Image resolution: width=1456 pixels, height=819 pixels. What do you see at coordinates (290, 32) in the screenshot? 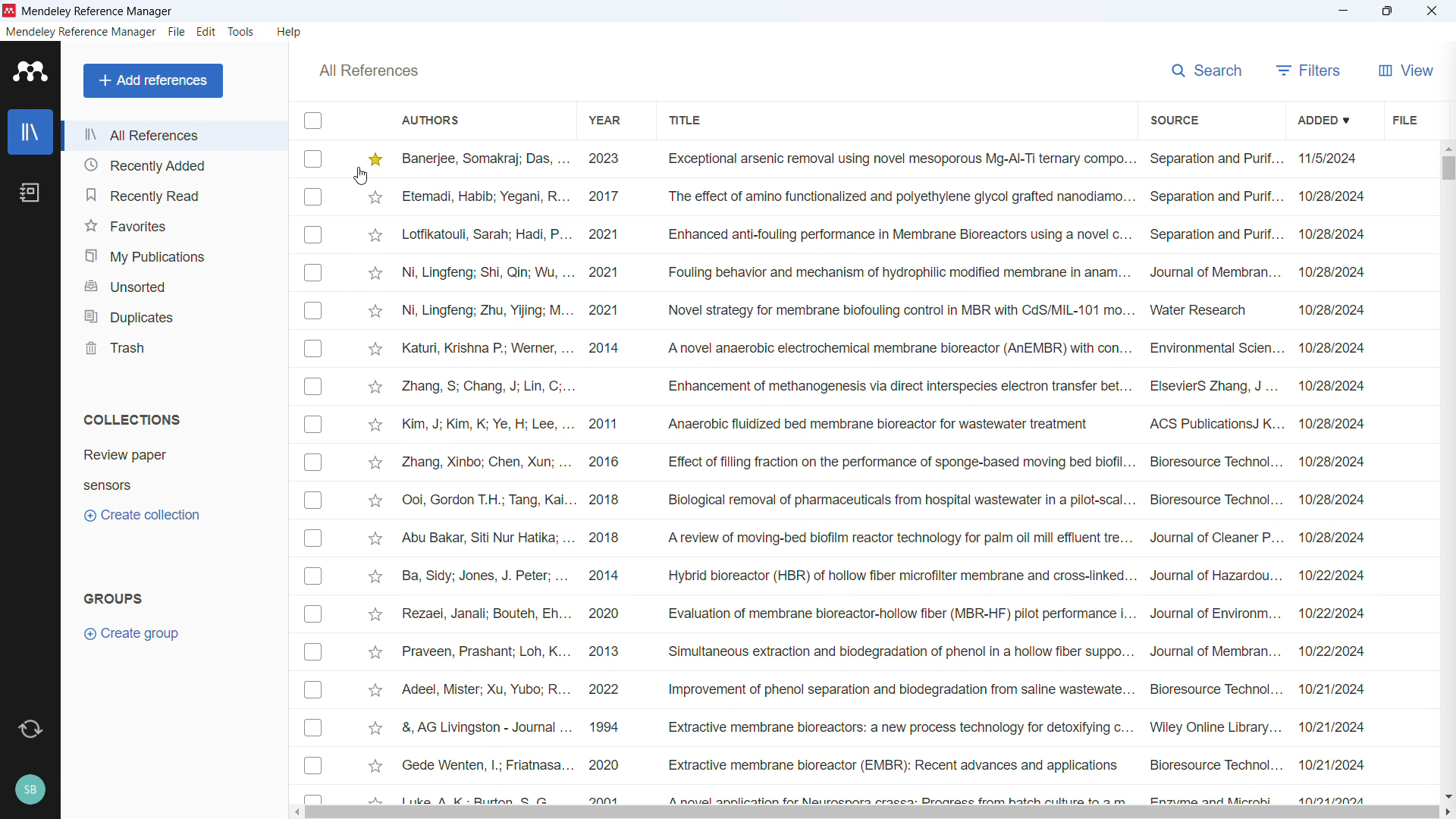
I see `help` at bounding box center [290, 32].